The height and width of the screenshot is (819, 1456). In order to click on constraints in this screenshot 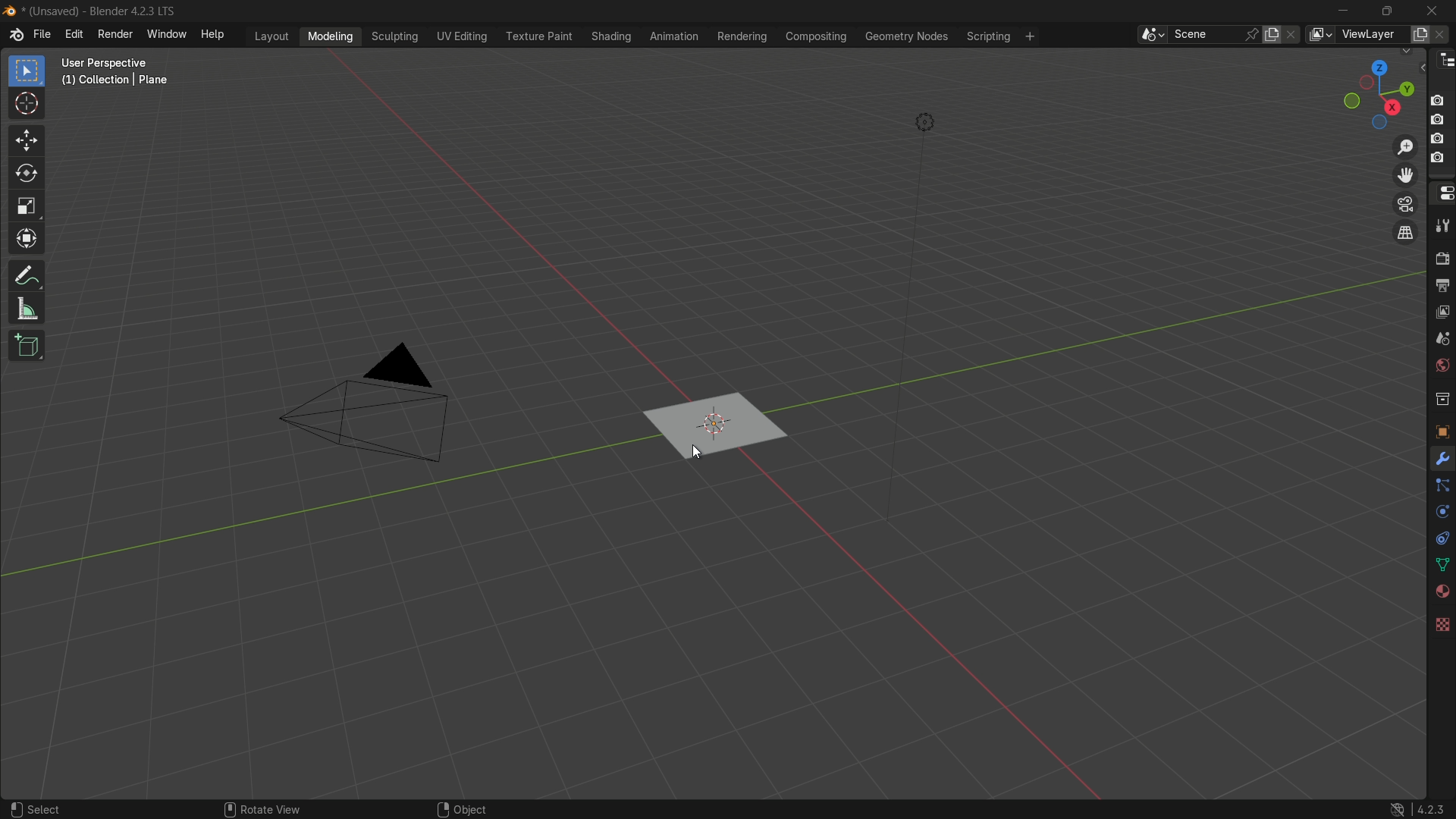, I will do `click(1442, 538)`.